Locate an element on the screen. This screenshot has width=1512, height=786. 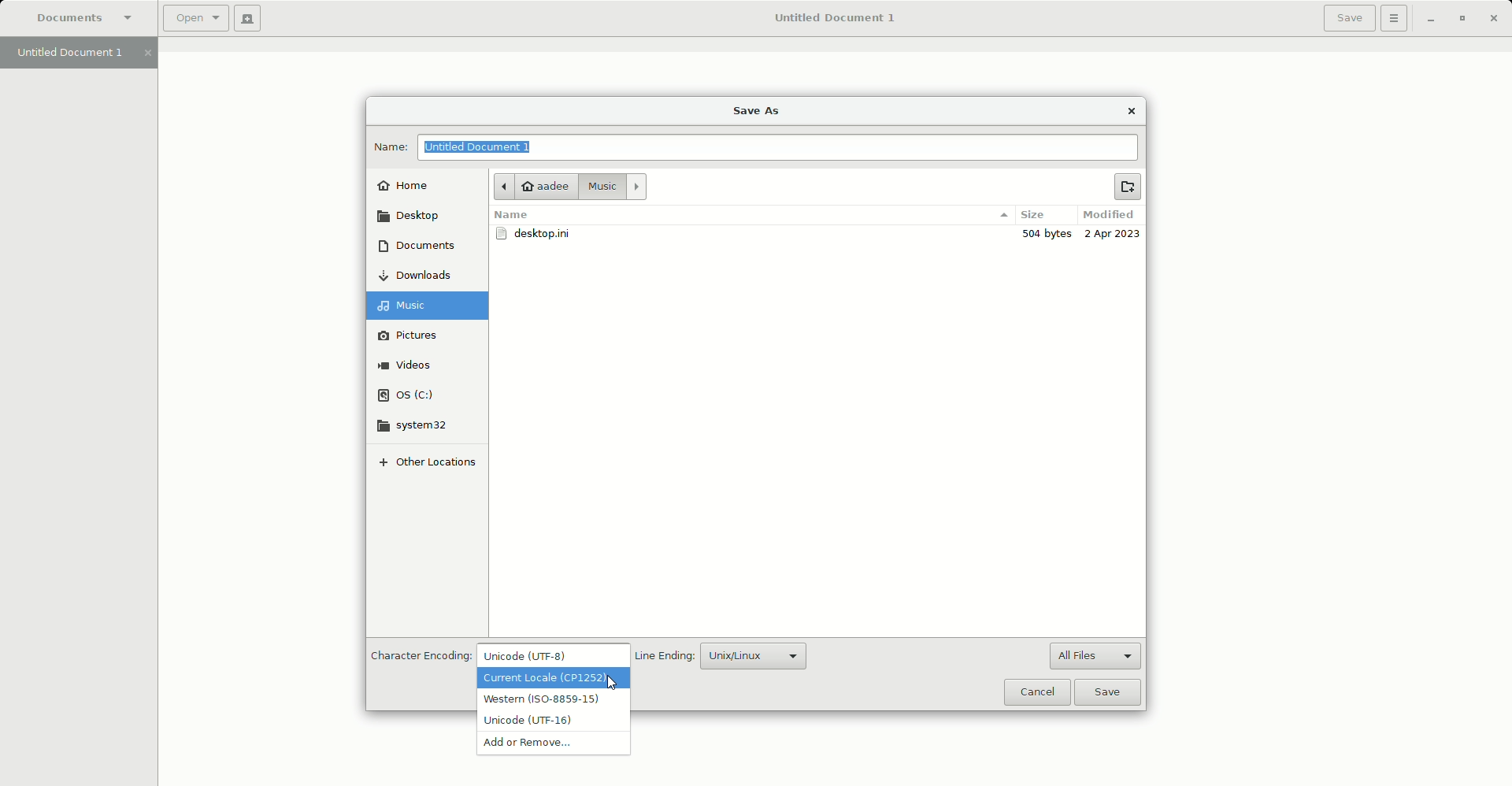
Add or remove is located at coordinates (554, 742).